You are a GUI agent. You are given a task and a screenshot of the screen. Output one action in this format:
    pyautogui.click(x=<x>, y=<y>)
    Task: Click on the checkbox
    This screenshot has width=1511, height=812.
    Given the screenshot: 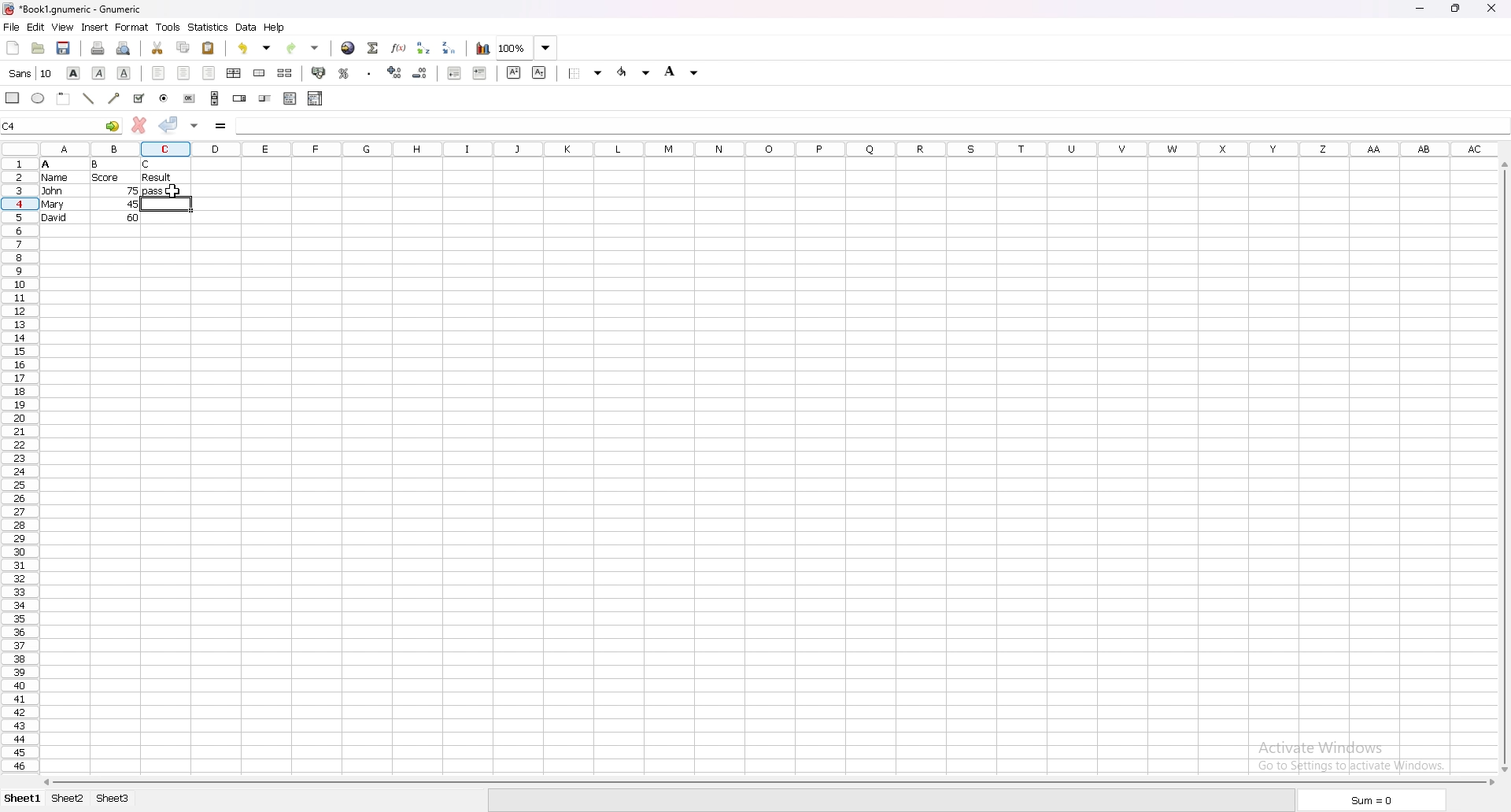 What is the action you would take?
    pyautogui.click(x=139, y=98)
    